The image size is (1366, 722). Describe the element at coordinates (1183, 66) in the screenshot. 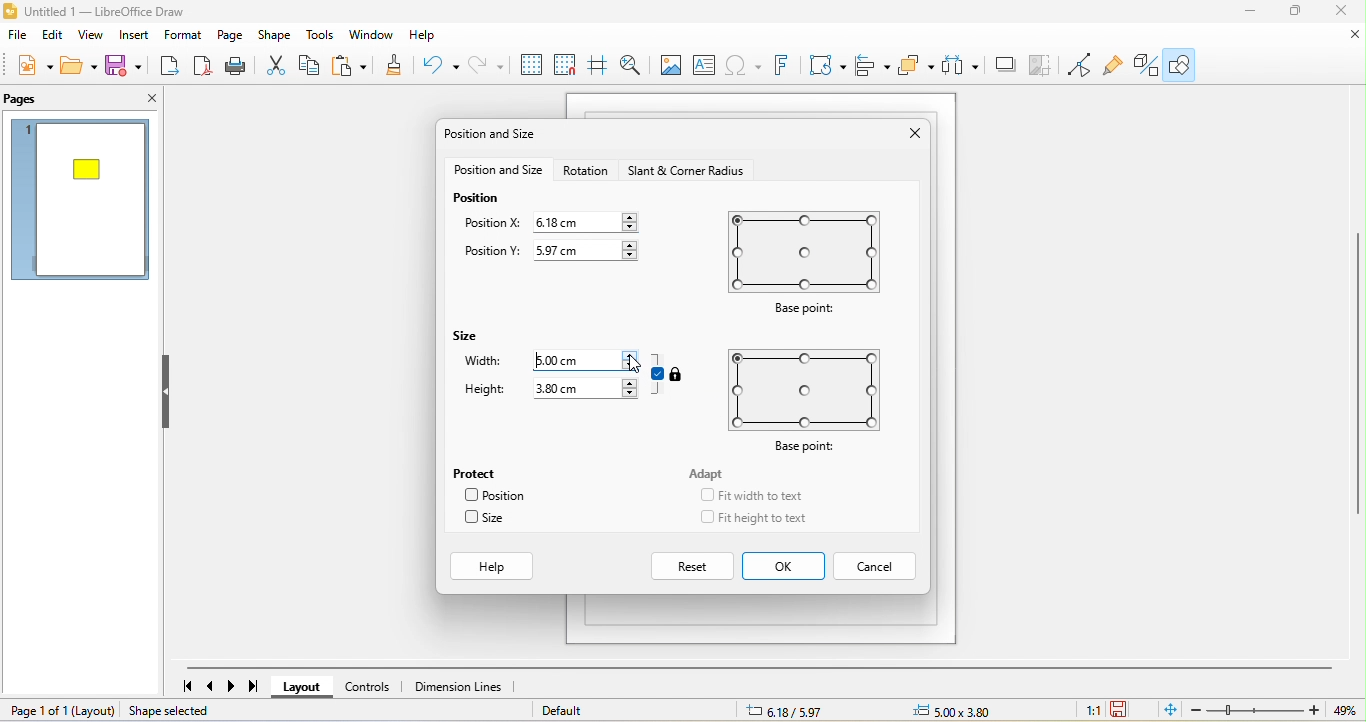

I see `show draw function` at that location.